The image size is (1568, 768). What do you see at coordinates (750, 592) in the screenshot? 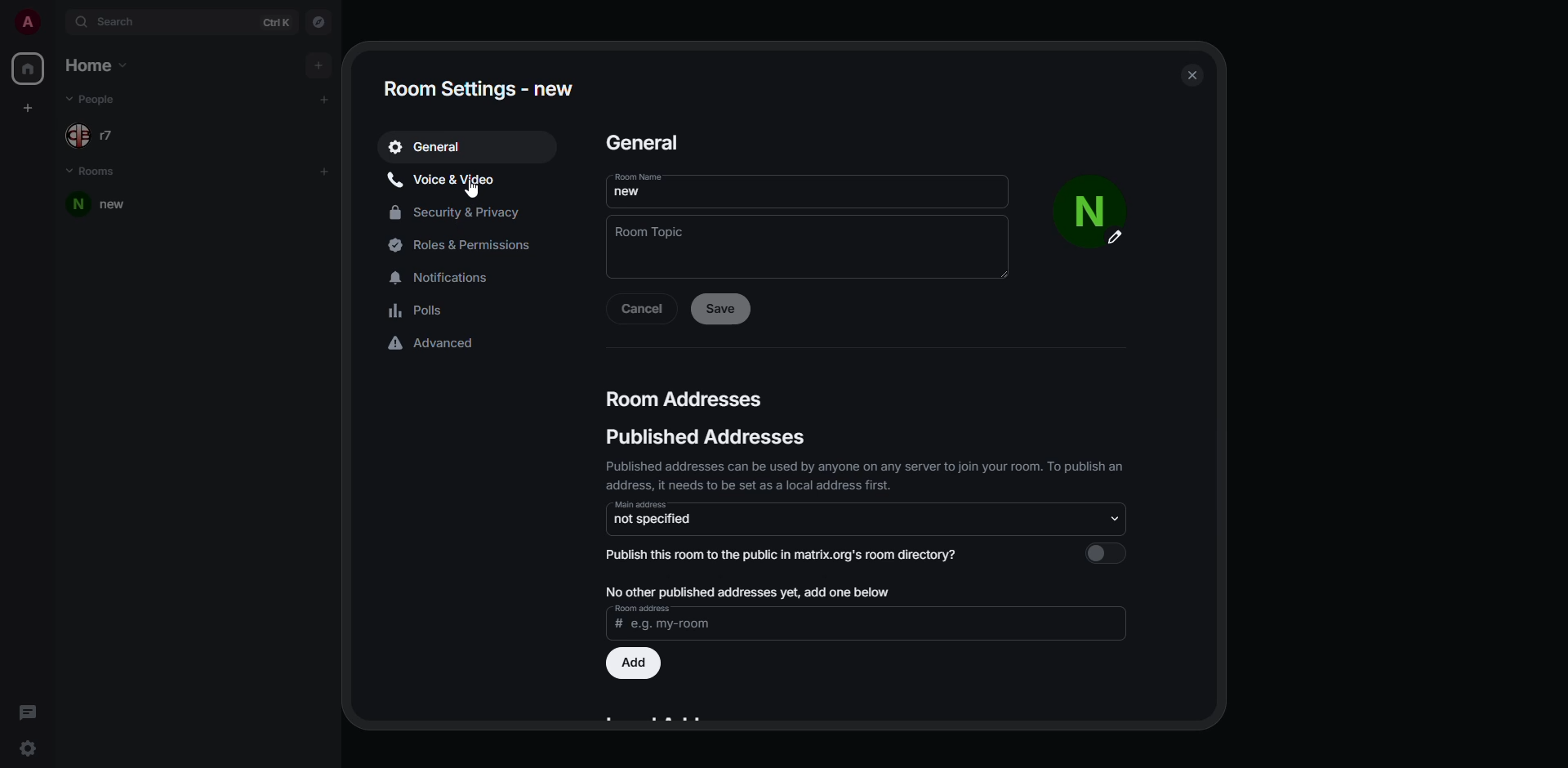
I see `no other published addresses yet, add one below` at bounding box center [750, 592].